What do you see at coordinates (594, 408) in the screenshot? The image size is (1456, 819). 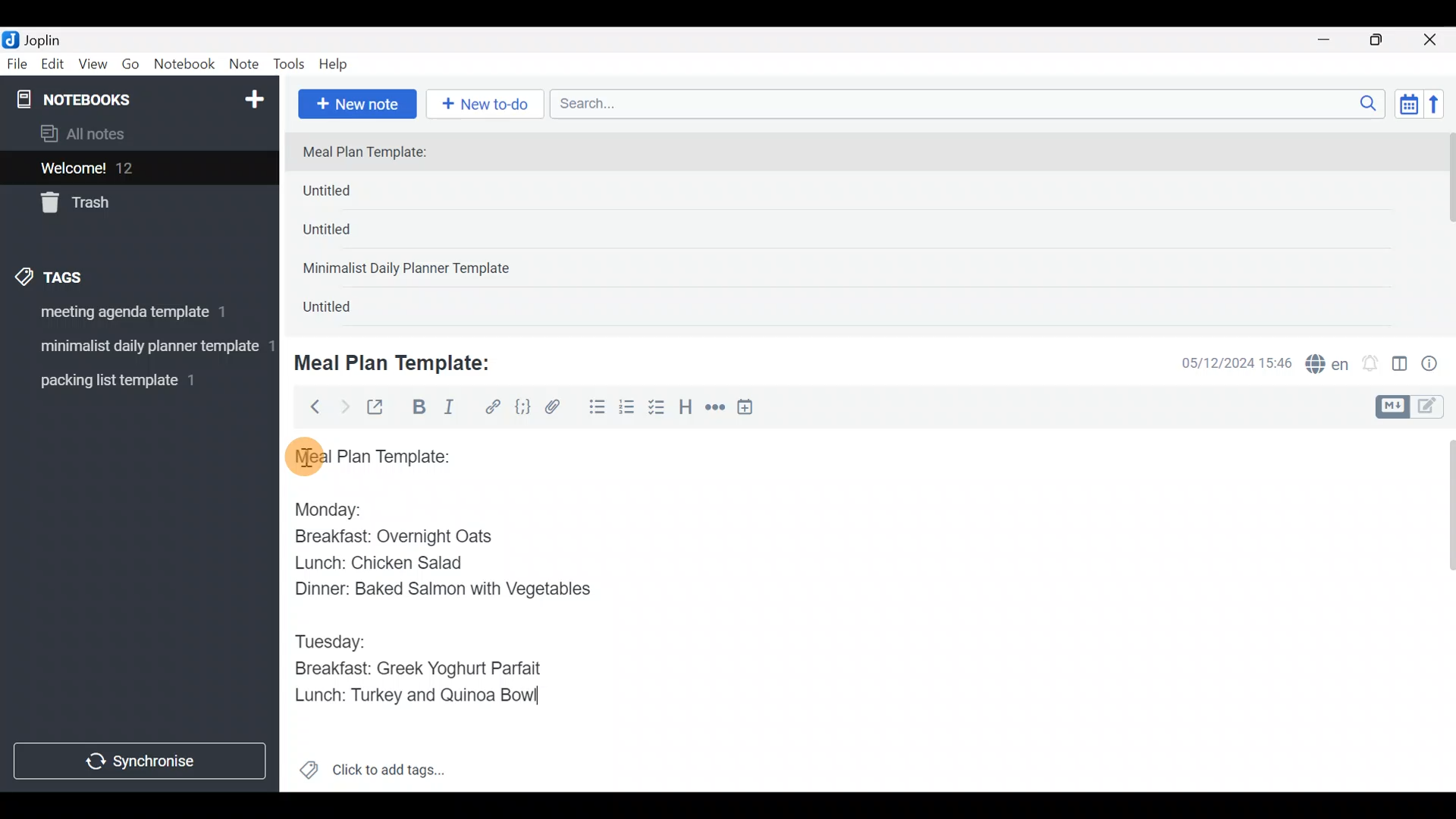 I see `Bulleted list` at bounding box center [594, 408].